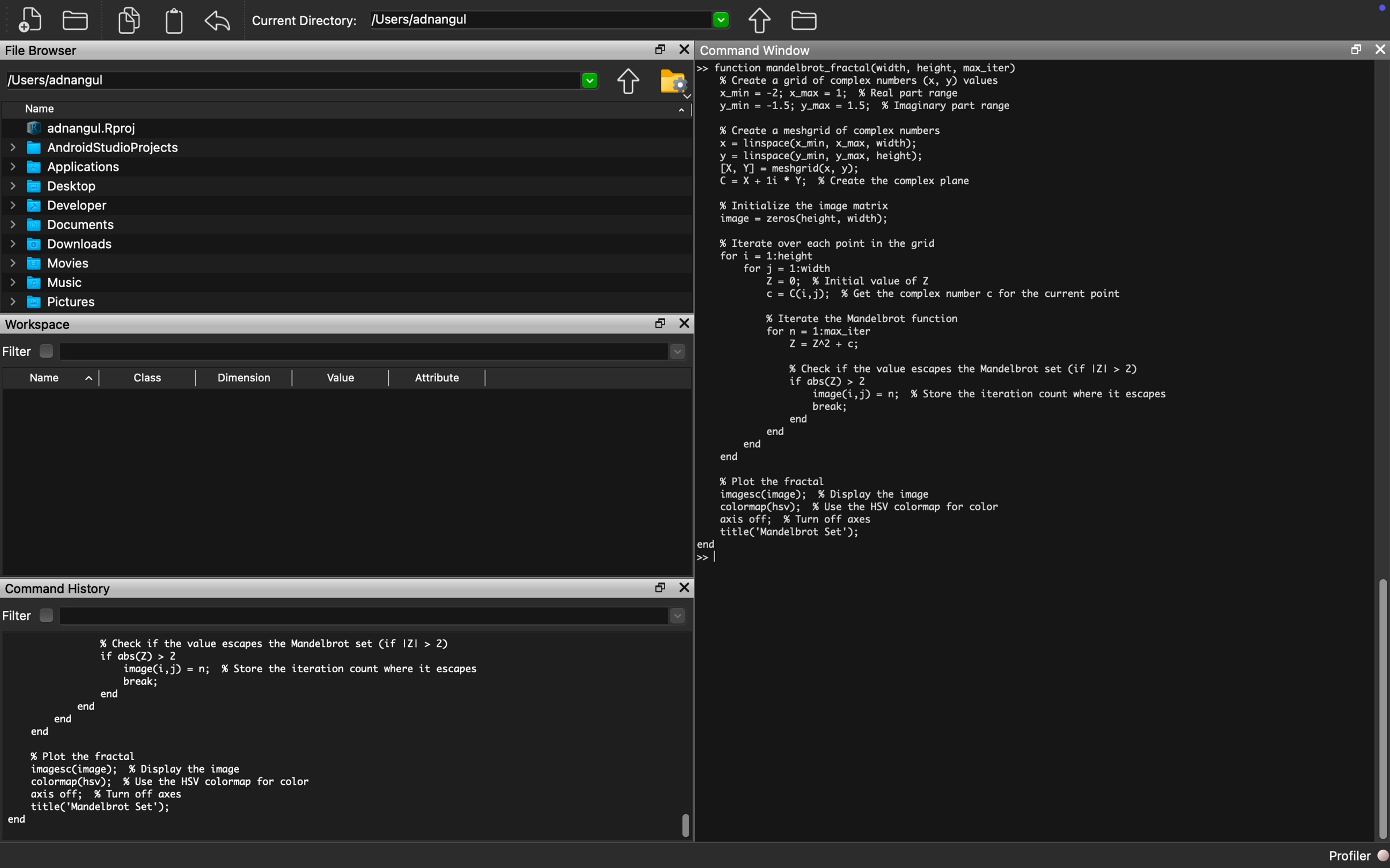  Describe the element at coordinates (1380, 708) in the screenshot. I see `Scroll` at that location.